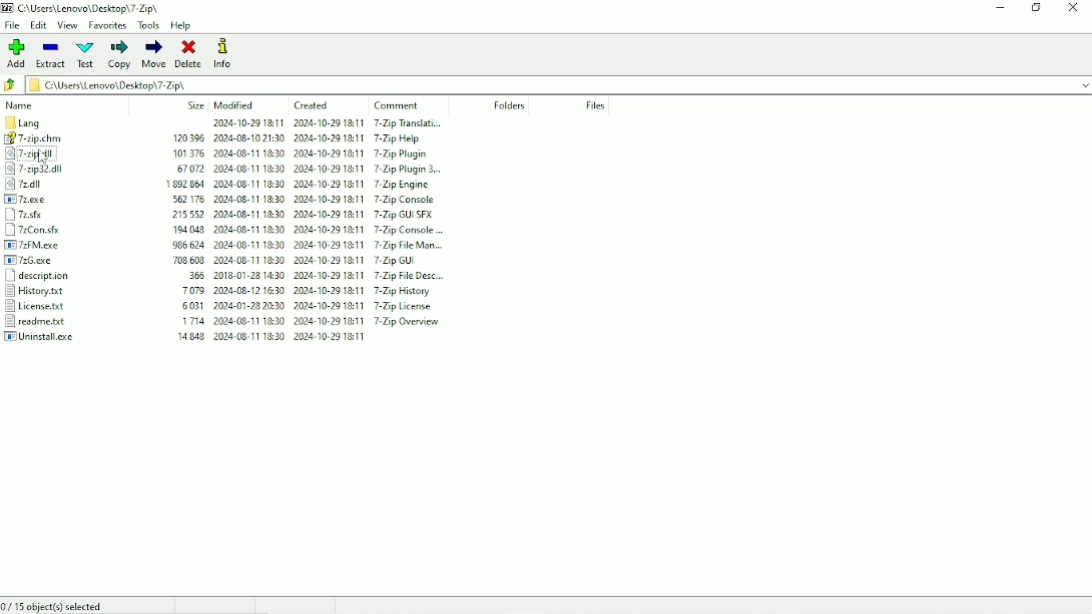  Describe the element at coordinates (119, 54) in the screenshot. I see `Copy` at that location.